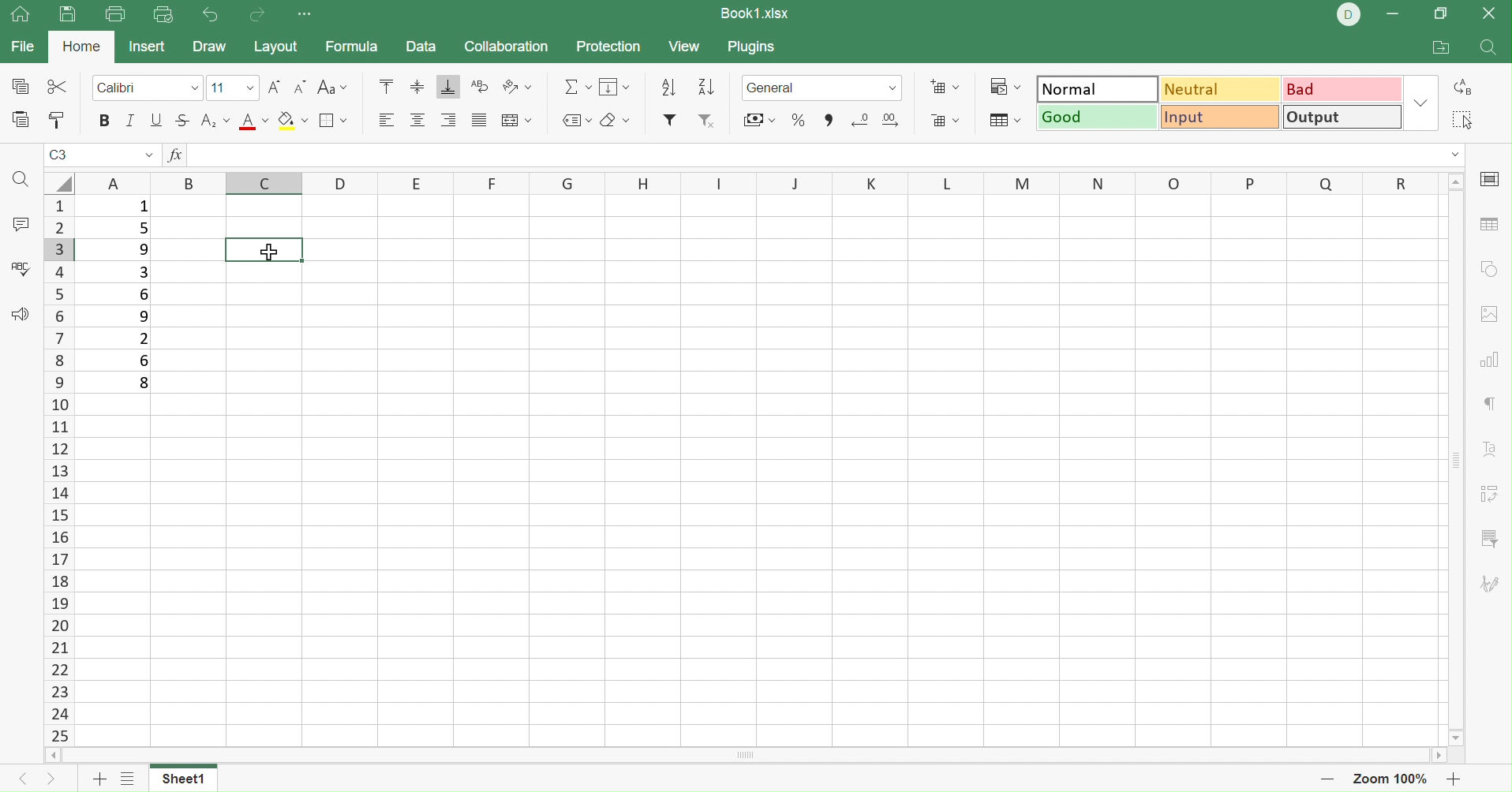 Image resolution: width=1512 pixels, height=792 pixels. Describe the element at coordinates (478, 85) in the screenshot. I see `Wrap text` at that location.